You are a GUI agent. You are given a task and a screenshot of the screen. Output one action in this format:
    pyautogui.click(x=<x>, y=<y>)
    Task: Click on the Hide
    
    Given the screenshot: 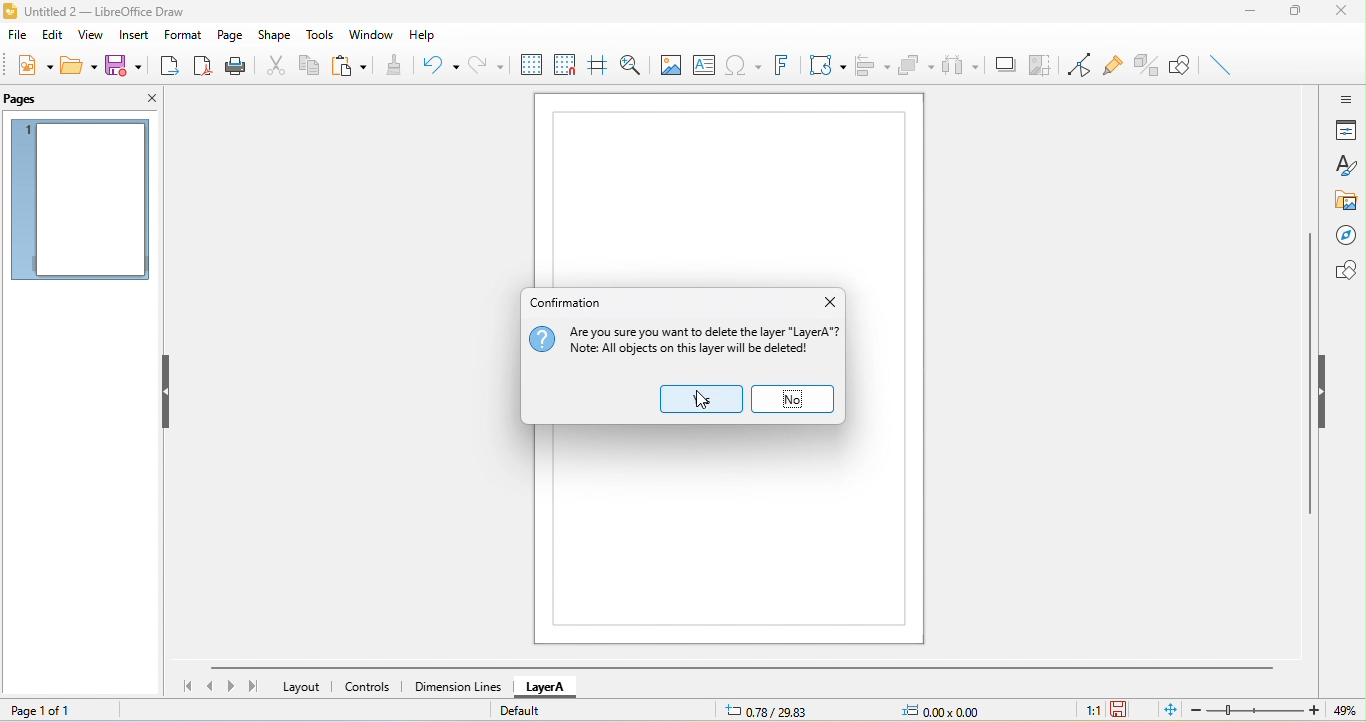 What is the action you would take?
    pyautogui.click(x=172, y=392)
    